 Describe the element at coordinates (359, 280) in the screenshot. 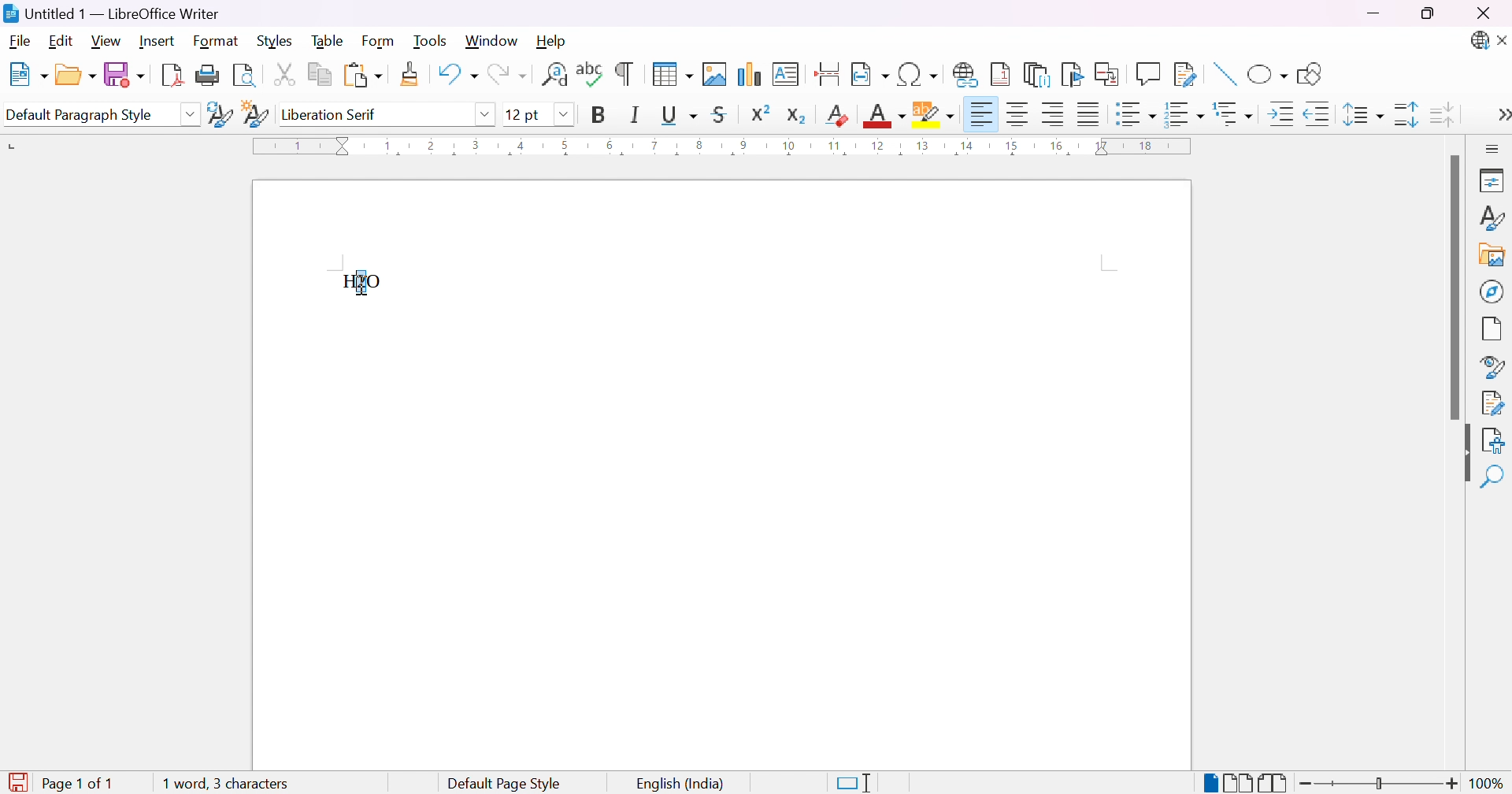

I see `Cursor` at that location.